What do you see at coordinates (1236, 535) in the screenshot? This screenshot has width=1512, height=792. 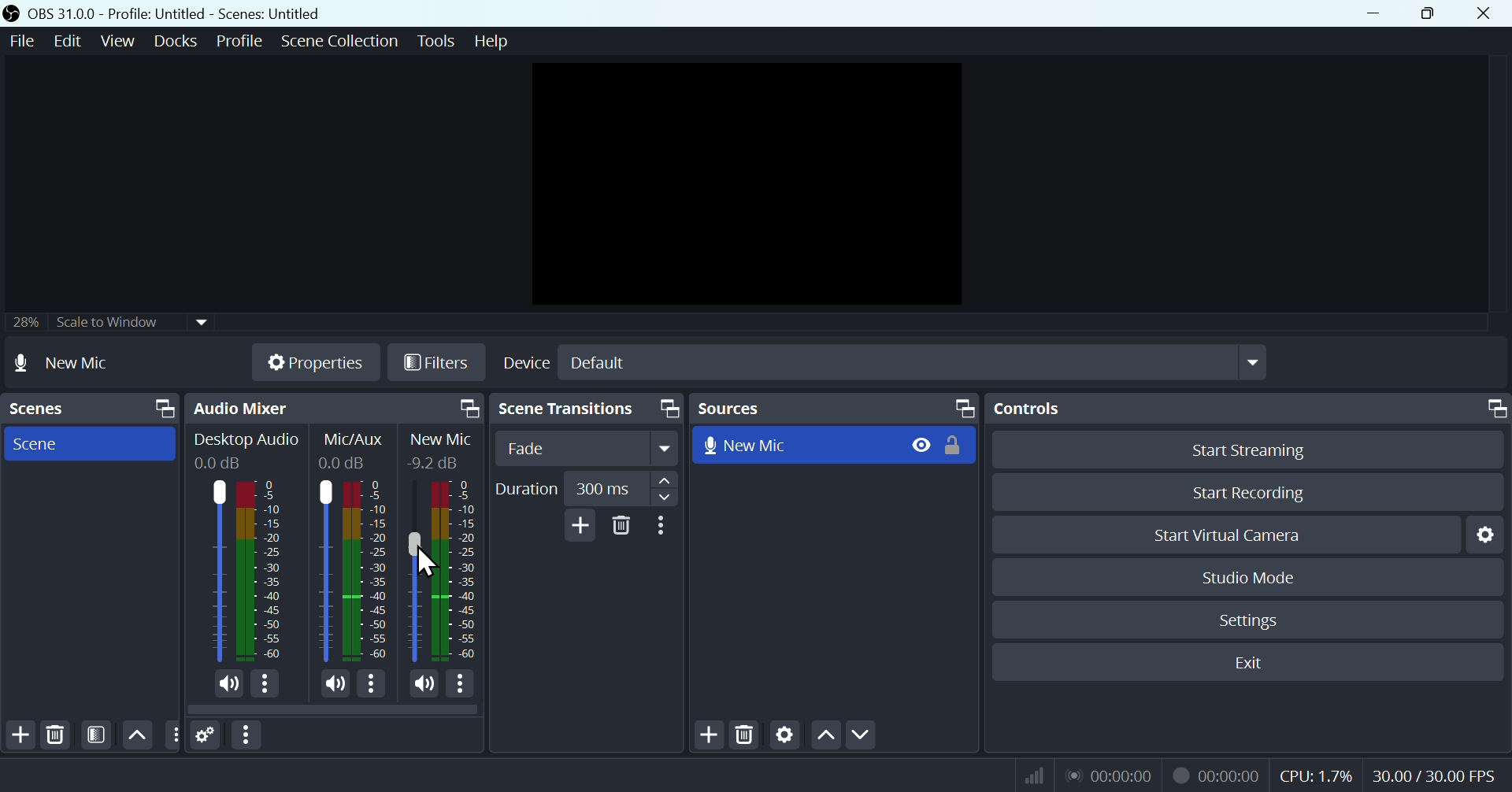 I see `start Virtual camera` at bounding box center [1236, 535].